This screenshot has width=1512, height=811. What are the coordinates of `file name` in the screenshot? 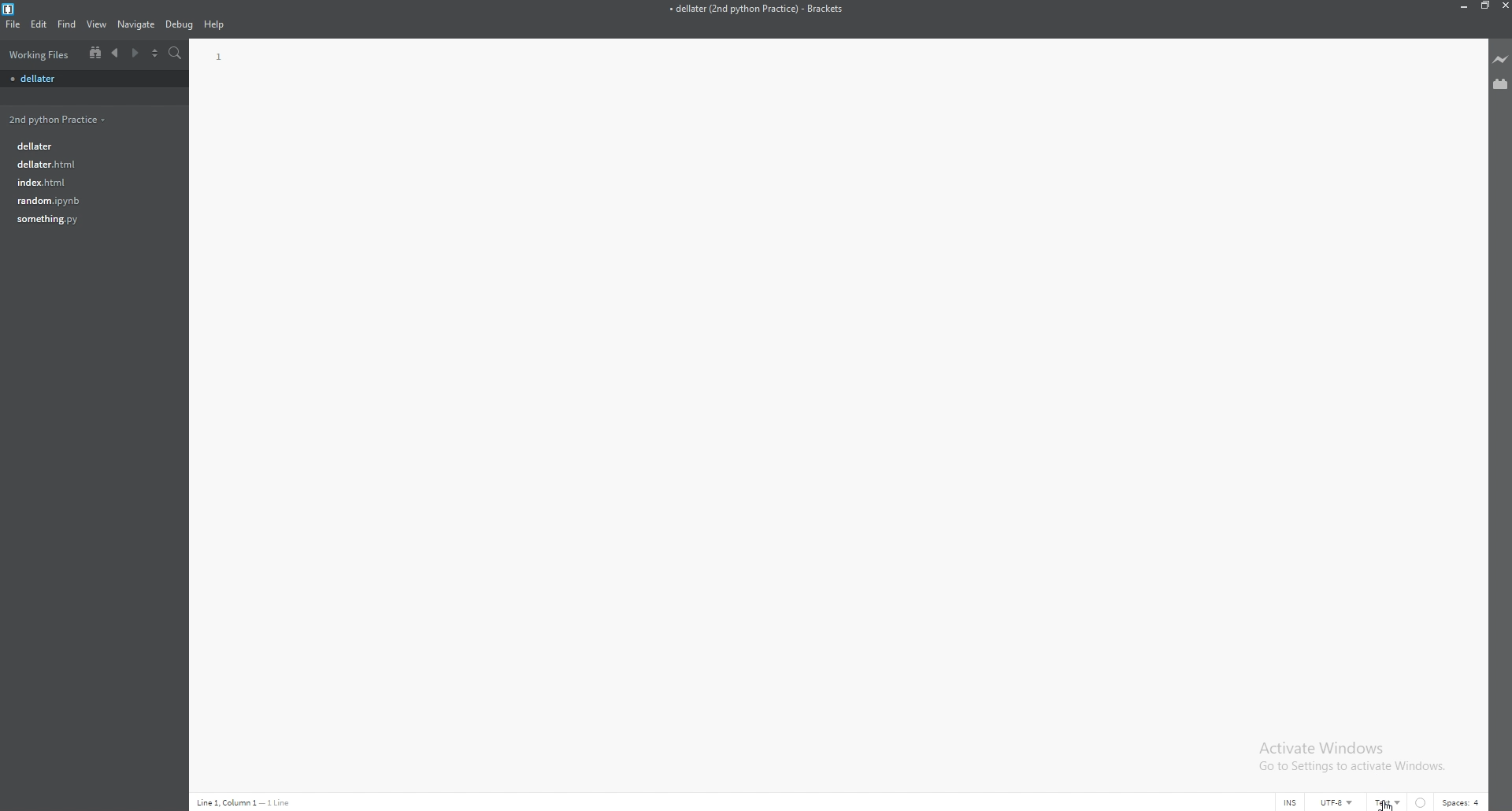 It's located at (756, 9).